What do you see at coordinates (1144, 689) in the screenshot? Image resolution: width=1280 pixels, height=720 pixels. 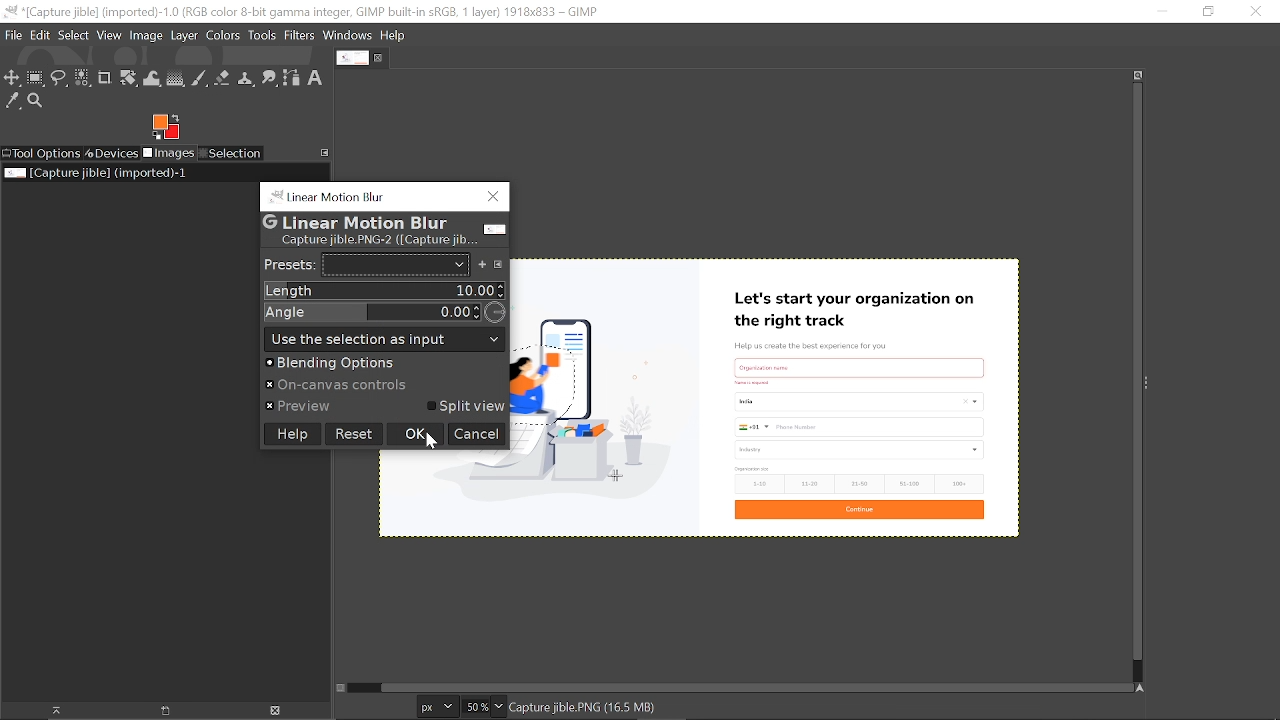 I see `Navigate this window` at bounding box center [1144, 689].